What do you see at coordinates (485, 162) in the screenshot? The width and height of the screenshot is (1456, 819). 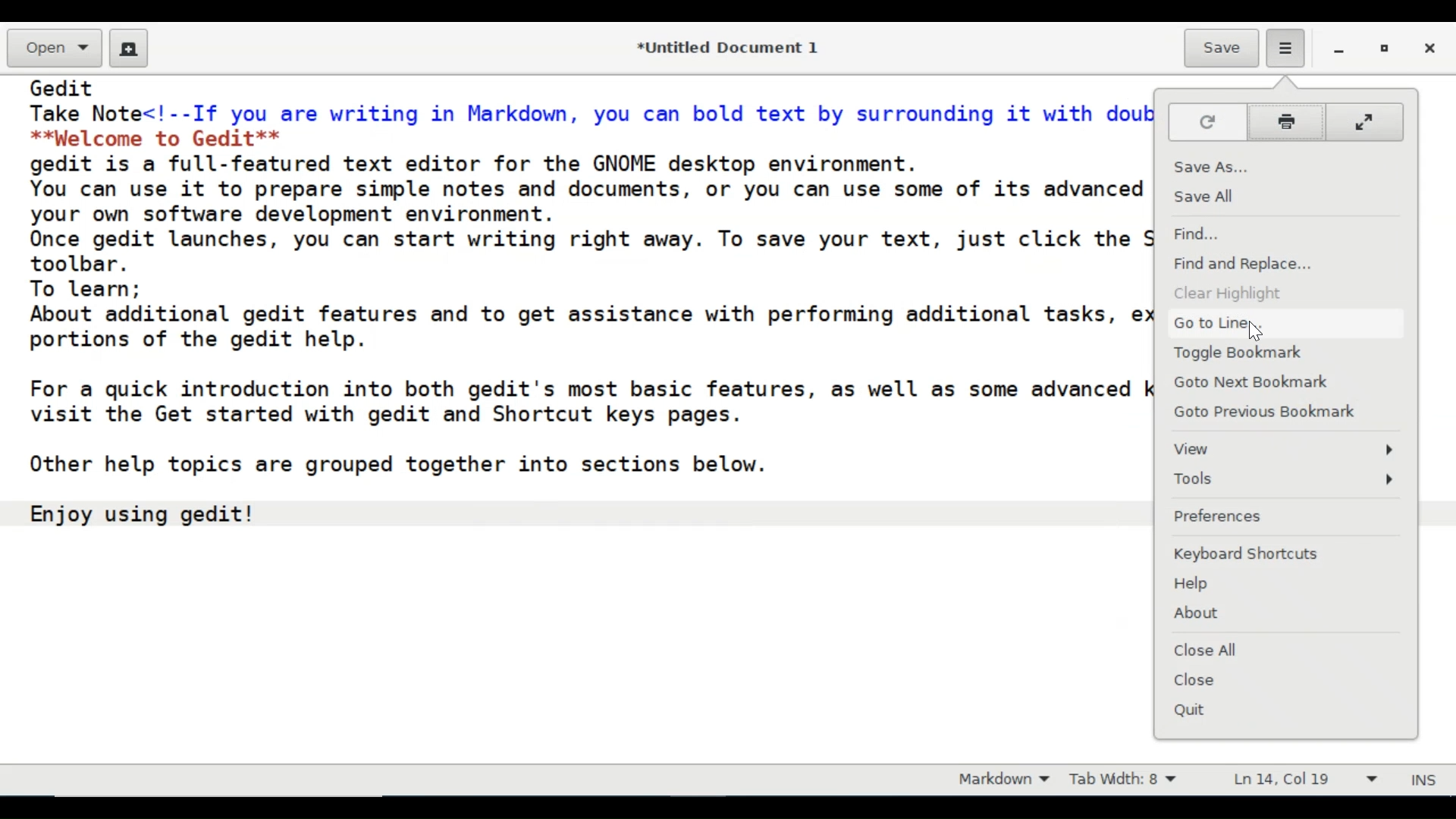 I see `gedit is a full-featured text editor for the GNOME desktop environment.` at bounding box center [485, 162].